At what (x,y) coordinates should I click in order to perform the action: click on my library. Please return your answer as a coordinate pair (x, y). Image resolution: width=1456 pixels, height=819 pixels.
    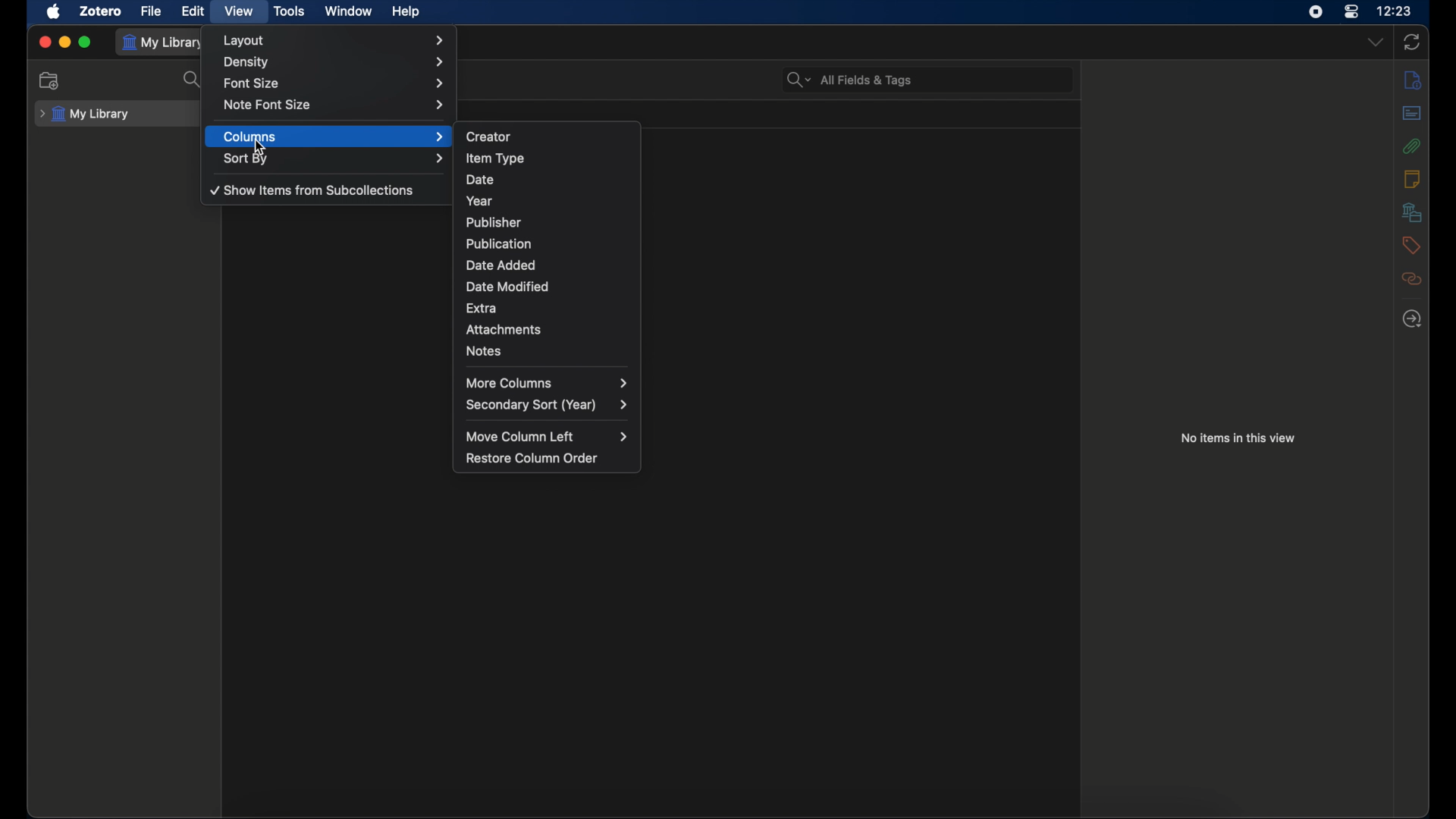
    Looking at the image, I should click on (165, 42).